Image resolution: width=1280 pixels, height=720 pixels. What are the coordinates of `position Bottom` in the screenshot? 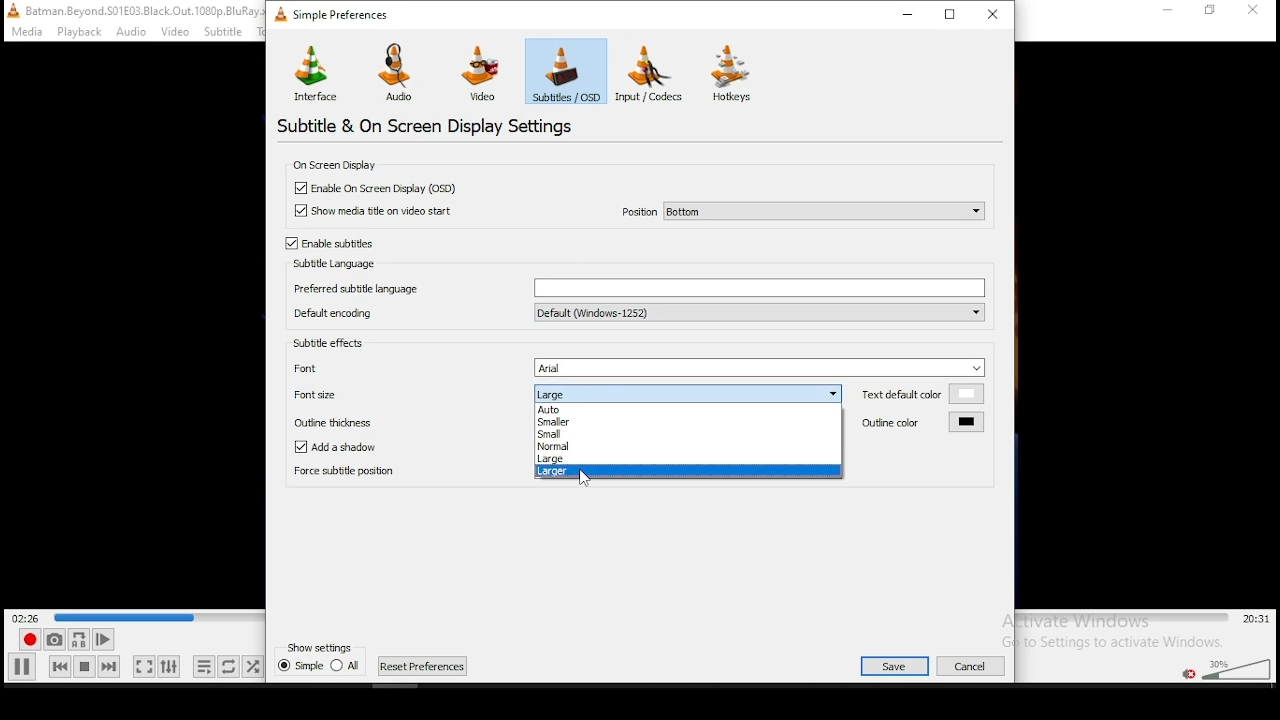 It's located at (801, 210).